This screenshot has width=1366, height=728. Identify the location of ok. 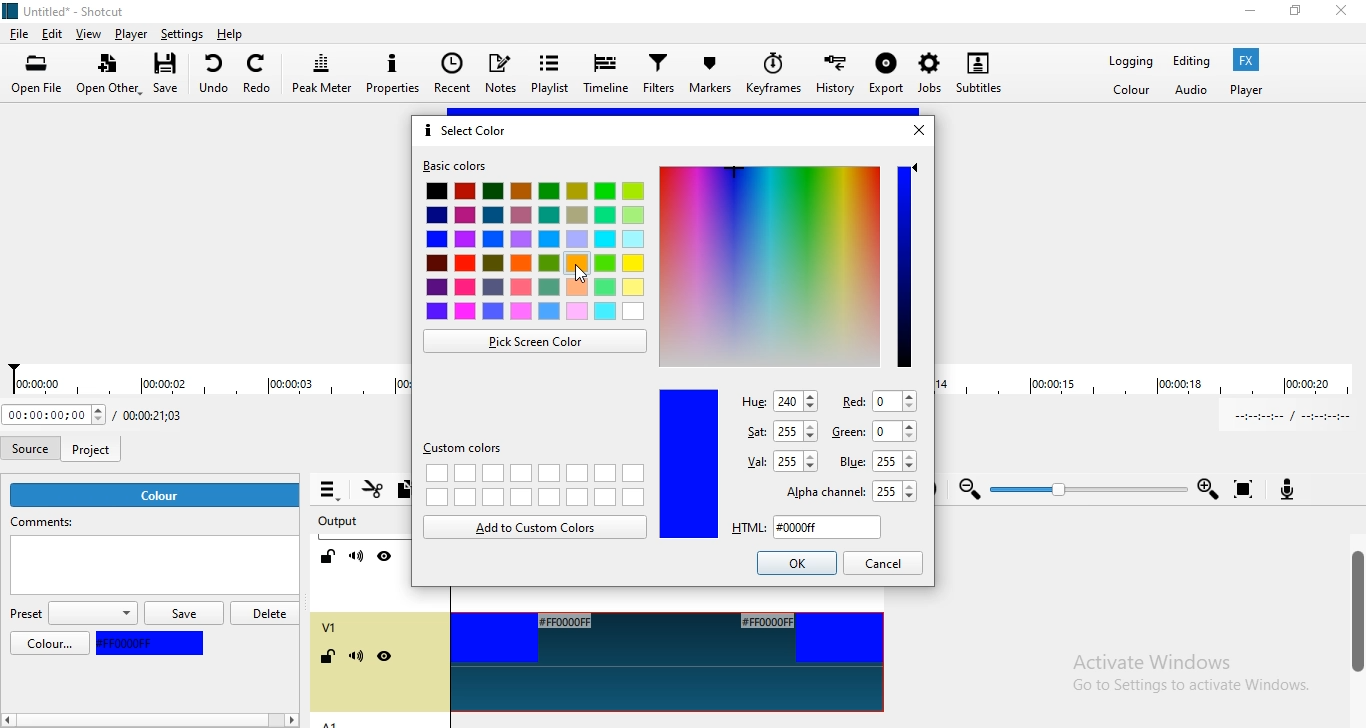
(796, 563).